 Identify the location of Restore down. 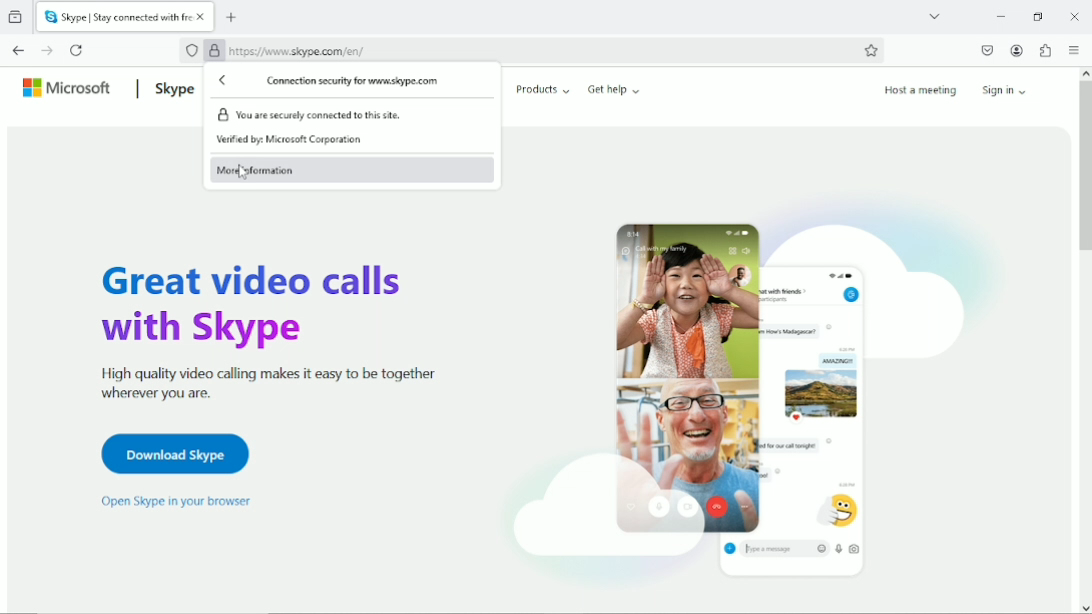
(1037, 16).